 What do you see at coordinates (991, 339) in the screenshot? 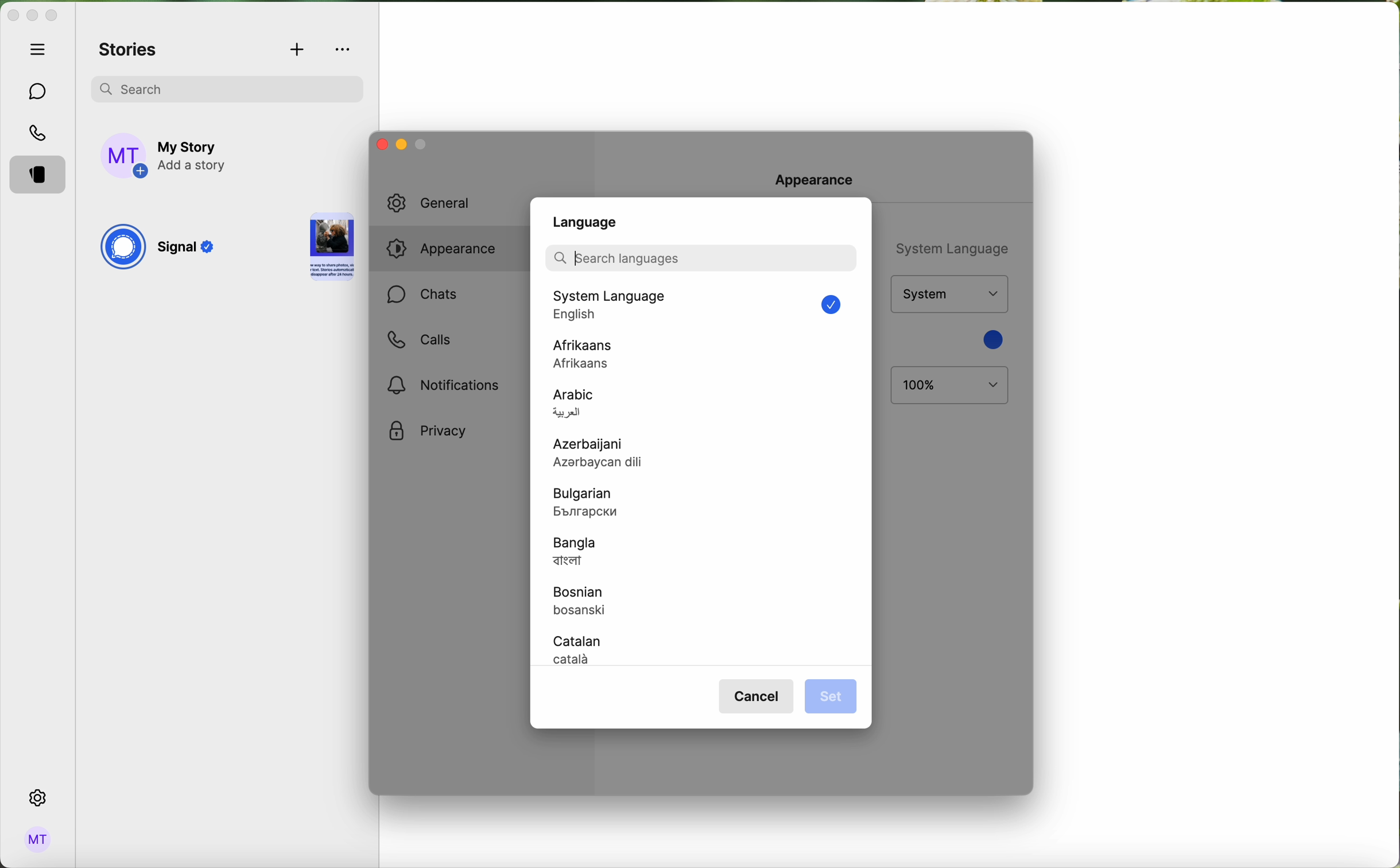
I see `blue` at bounding box center [991, 339].